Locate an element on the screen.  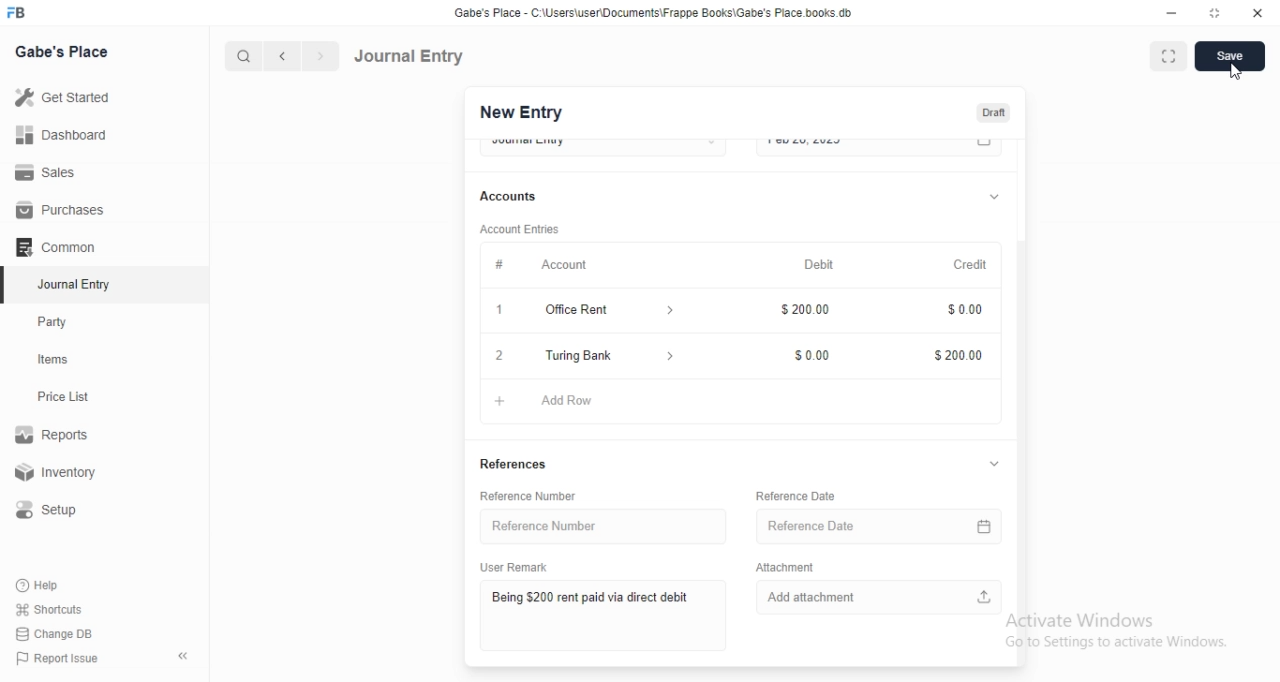
fullscreen is located at coordinates (1166, 57).